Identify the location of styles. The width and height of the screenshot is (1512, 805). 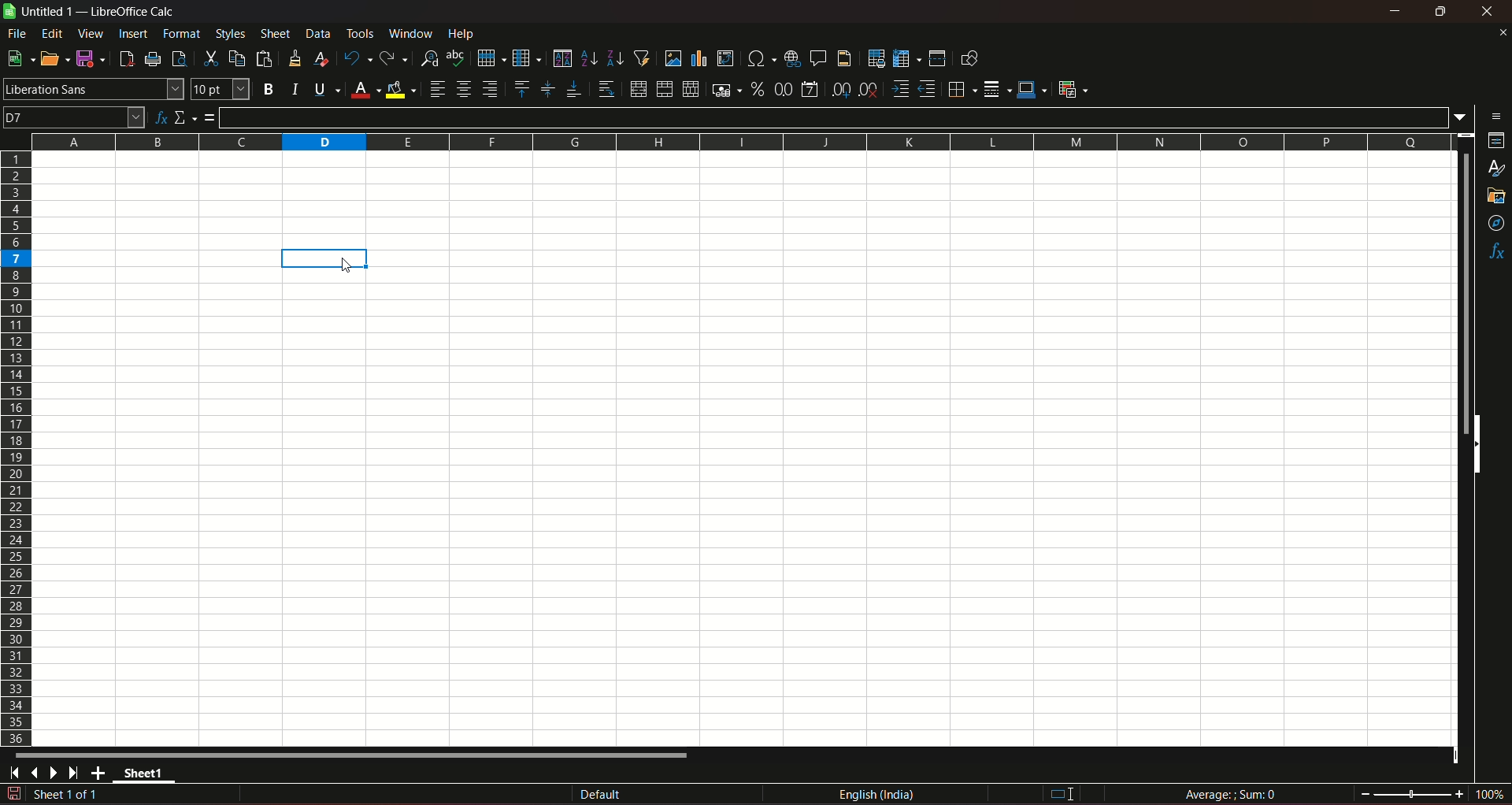
(229, 33).